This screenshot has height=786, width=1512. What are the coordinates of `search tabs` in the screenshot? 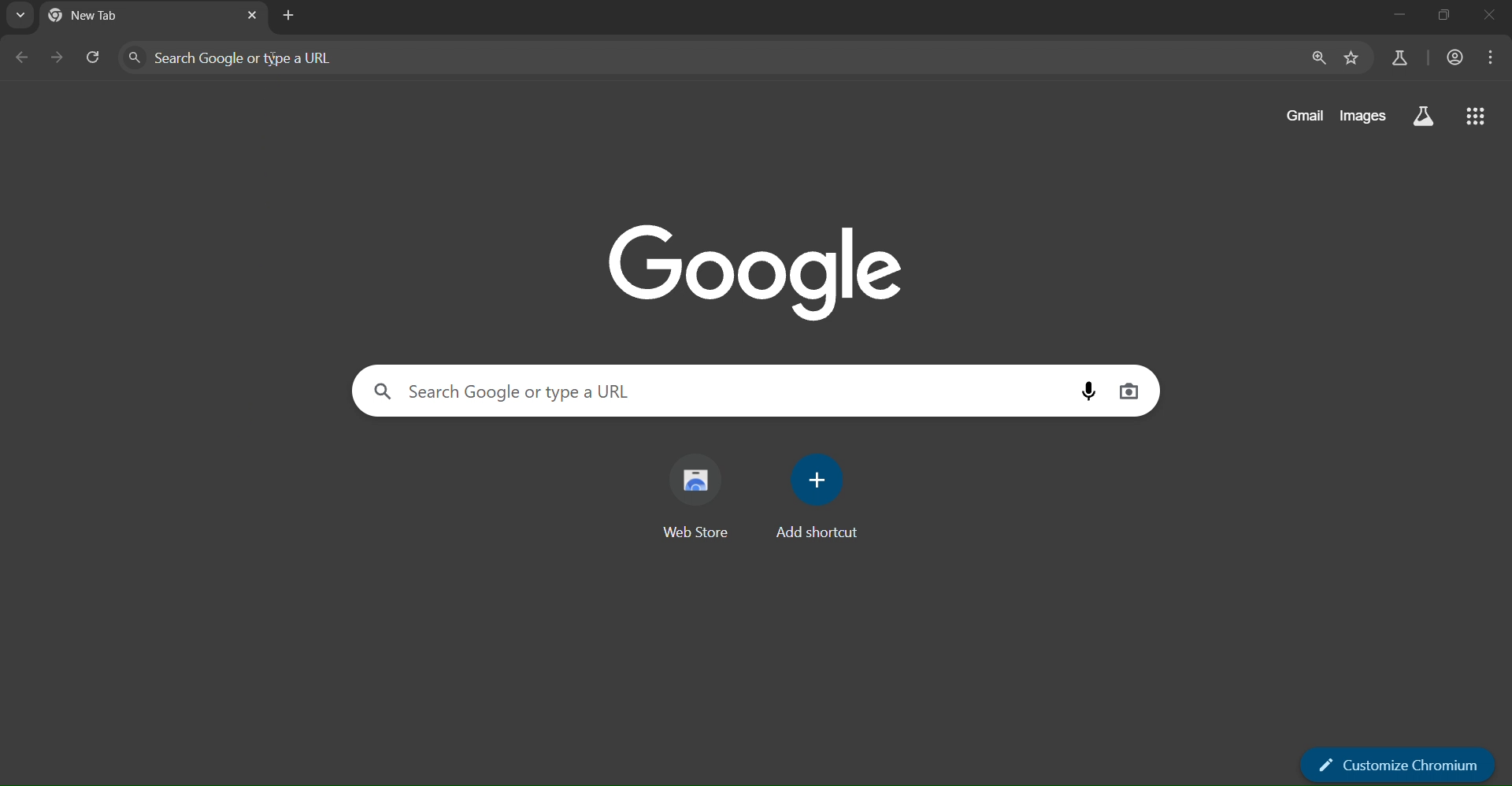 It's located at (20, 15).